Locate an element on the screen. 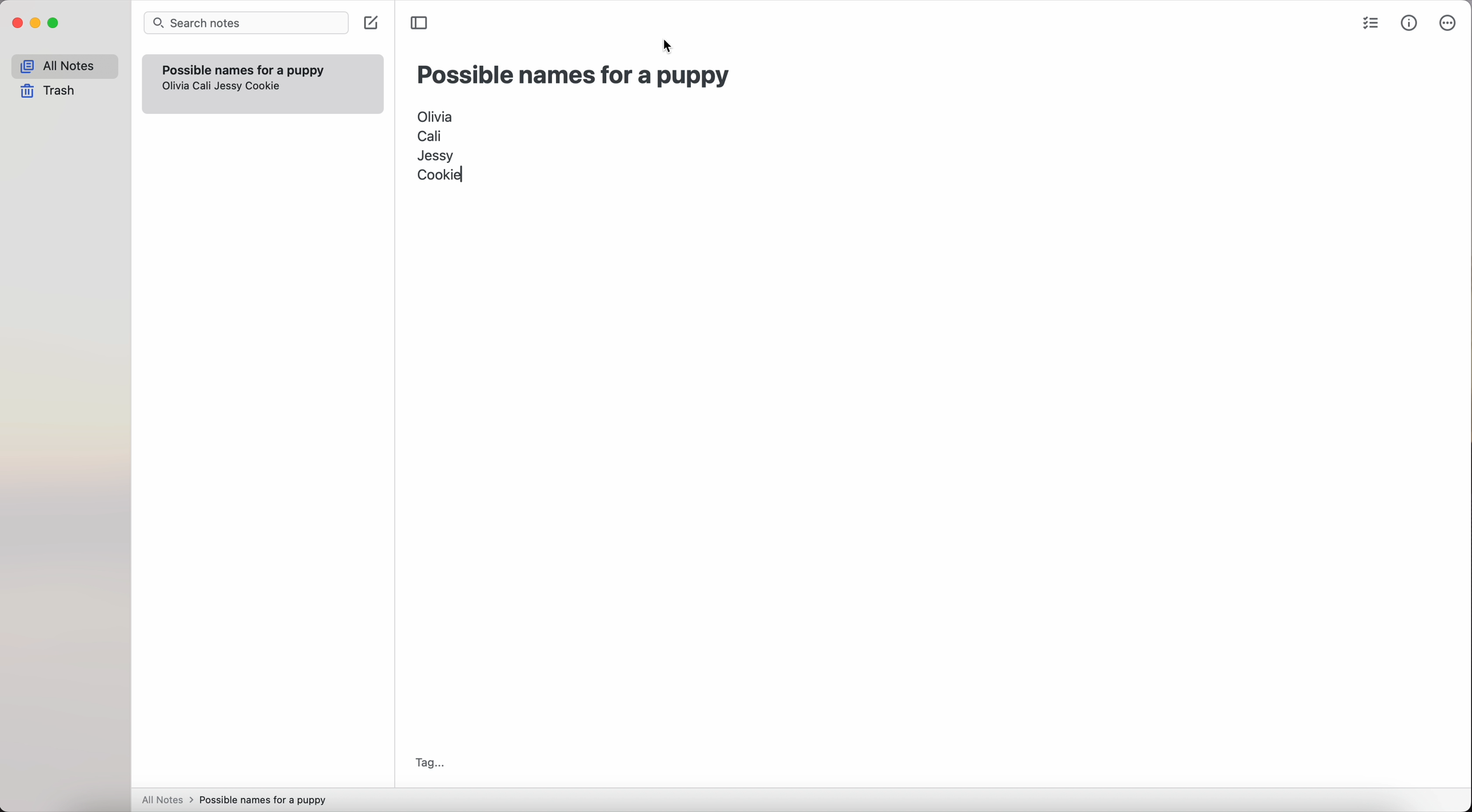 This screenshot has width=1472, height=812. more options is located at coordinates (1449, 24).